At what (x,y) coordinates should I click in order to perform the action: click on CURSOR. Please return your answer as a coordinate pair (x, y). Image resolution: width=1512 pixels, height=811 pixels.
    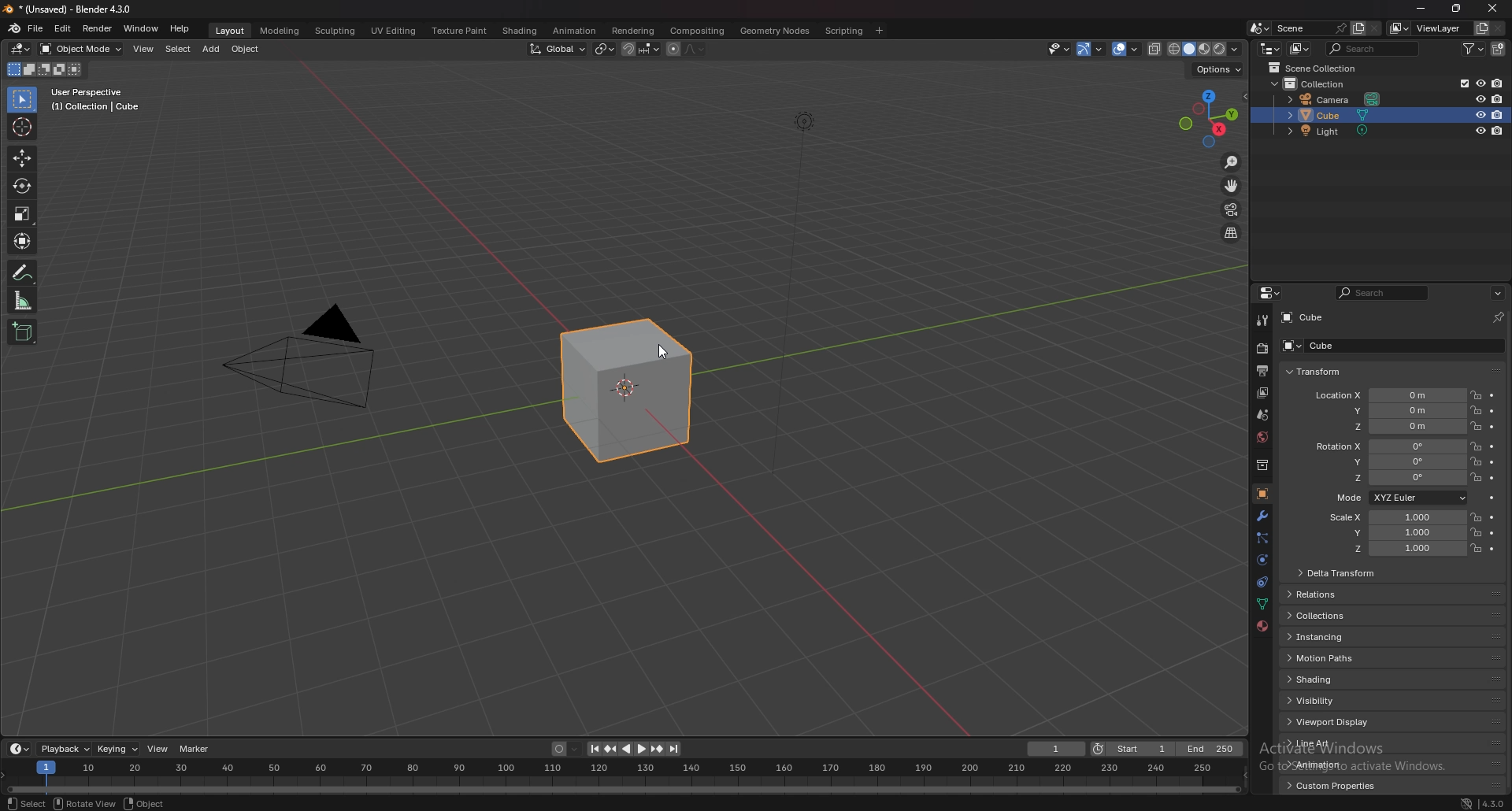
    Looking at the image, I should click on (669, 354).